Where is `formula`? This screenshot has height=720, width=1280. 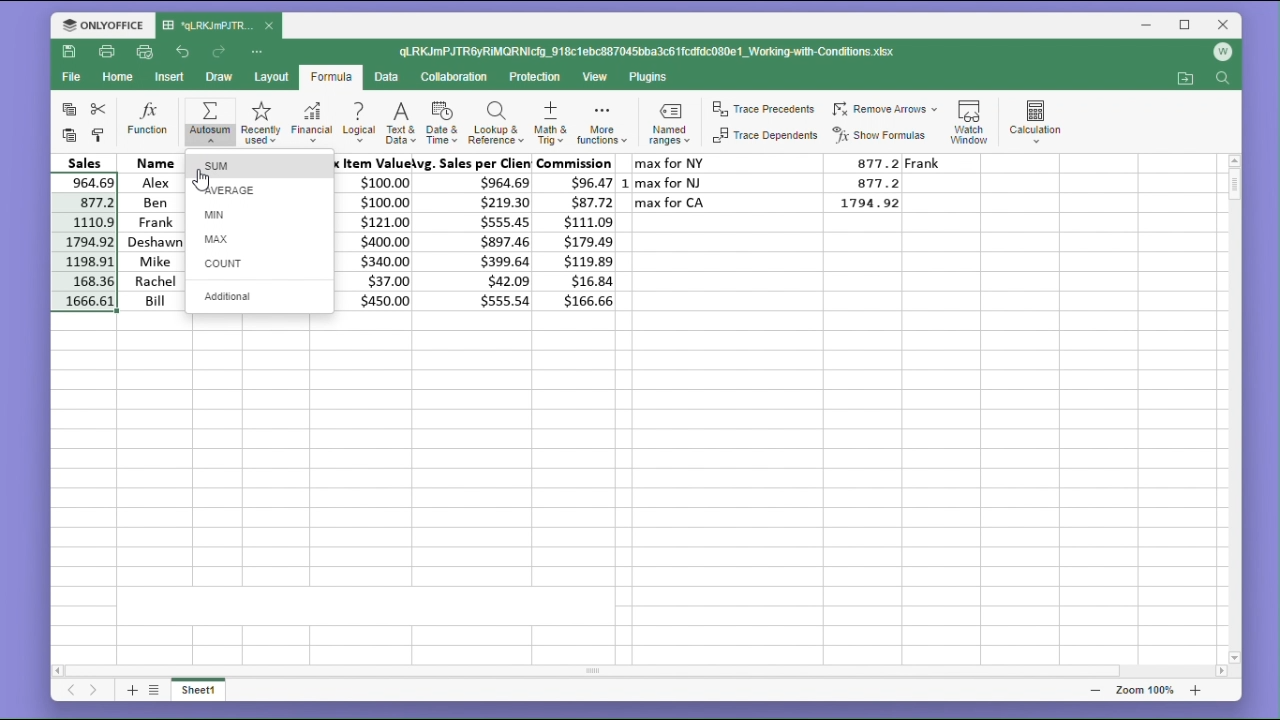
formula is located at coordinates (330, 78).